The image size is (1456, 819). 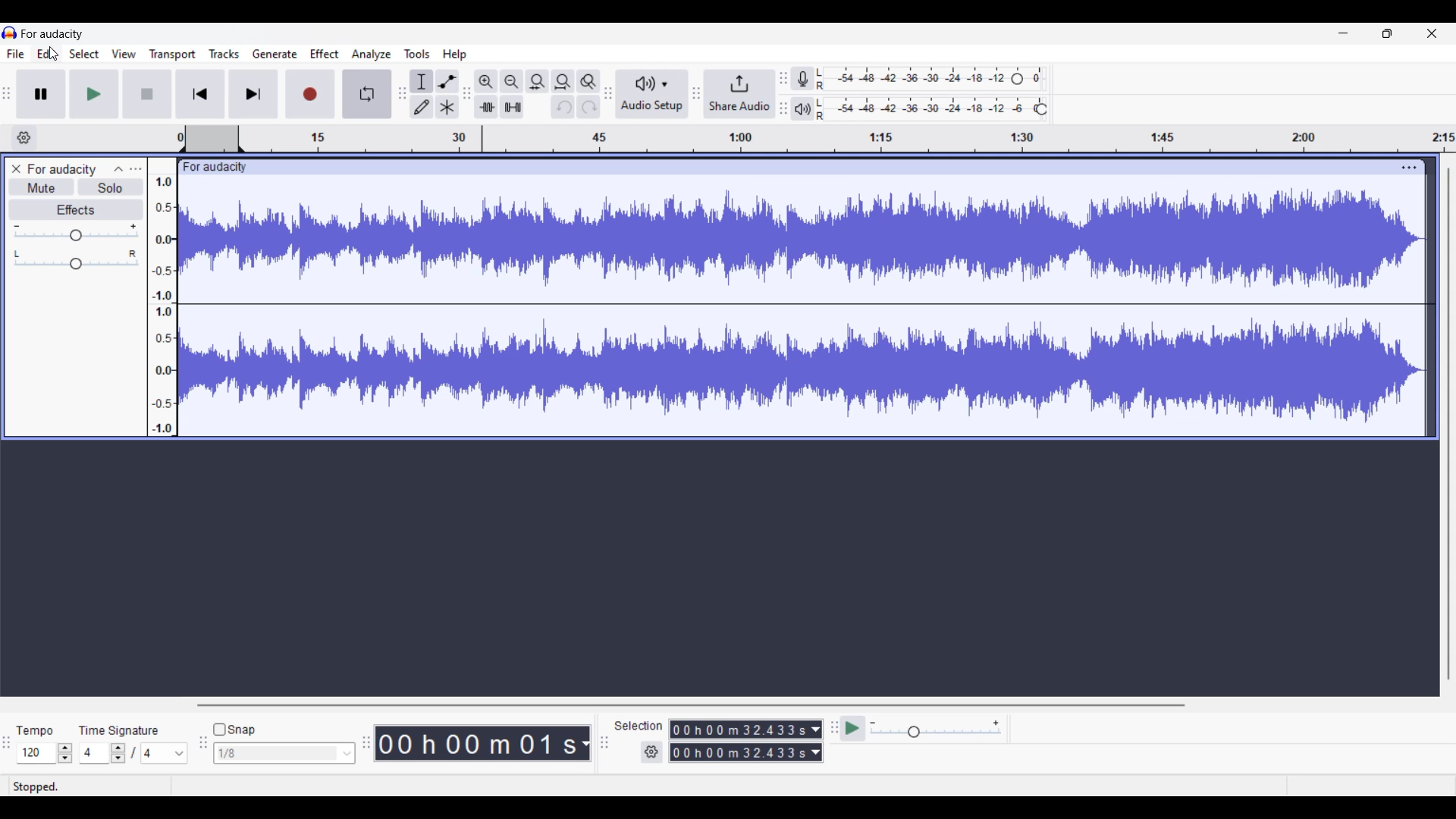 What do you see at coordinates (76, 260) in the screenshot?
I see `Pan scale` at bounding box center [76, 260].